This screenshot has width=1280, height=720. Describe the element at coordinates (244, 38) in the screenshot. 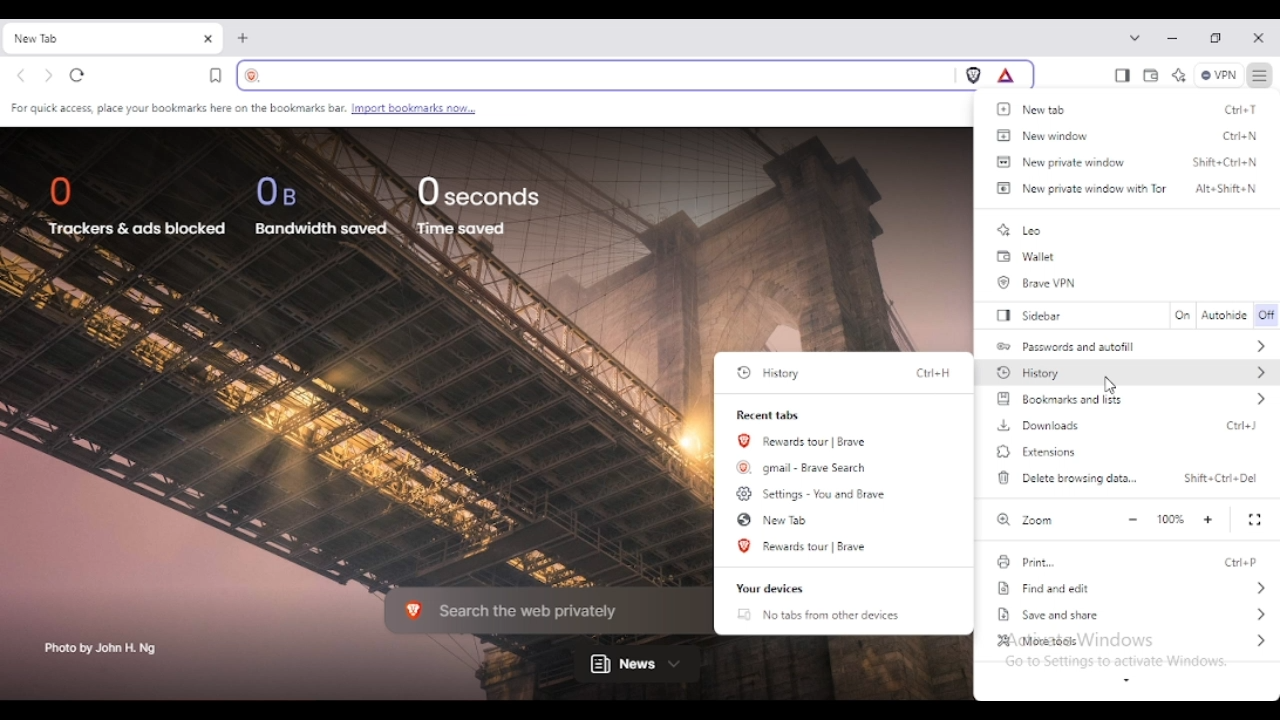

I see `new tab` at that location.